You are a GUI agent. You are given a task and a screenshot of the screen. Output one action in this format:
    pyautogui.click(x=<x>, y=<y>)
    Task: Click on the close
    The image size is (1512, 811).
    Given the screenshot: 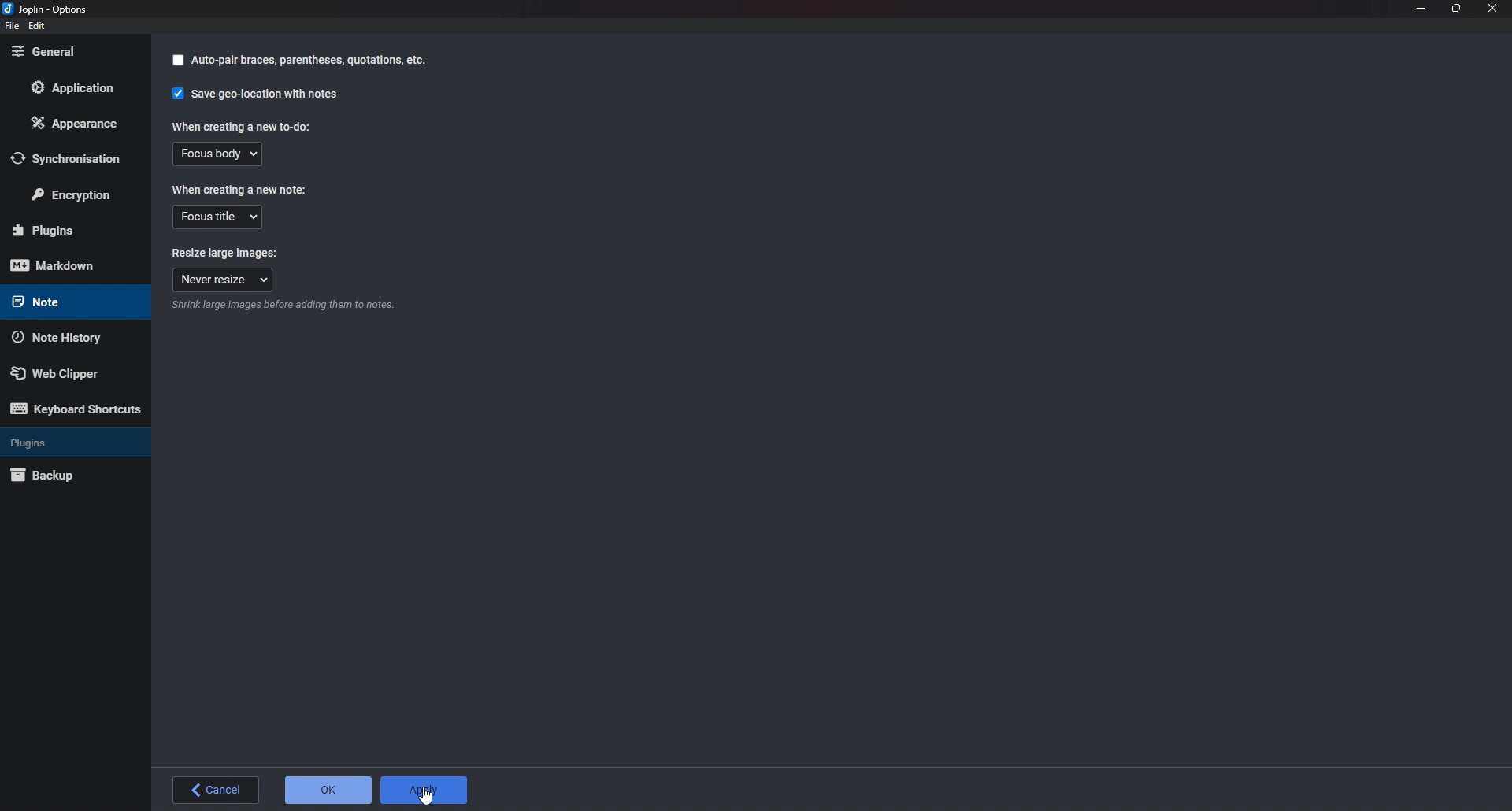 What is the action you would take?
    pyautogui.click(x=1492, y=10)
    